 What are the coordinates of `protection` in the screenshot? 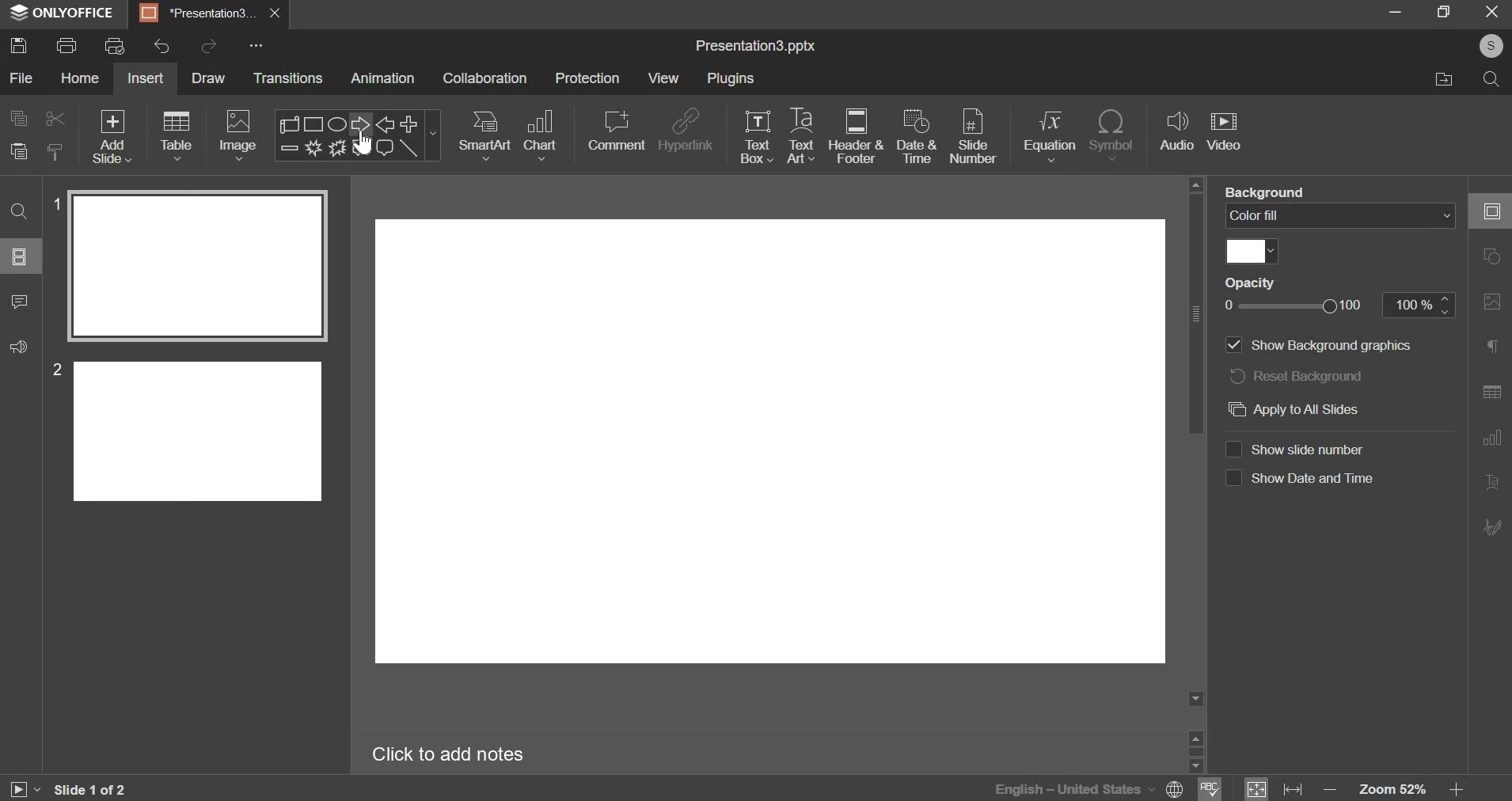 It's located at (587, 78).